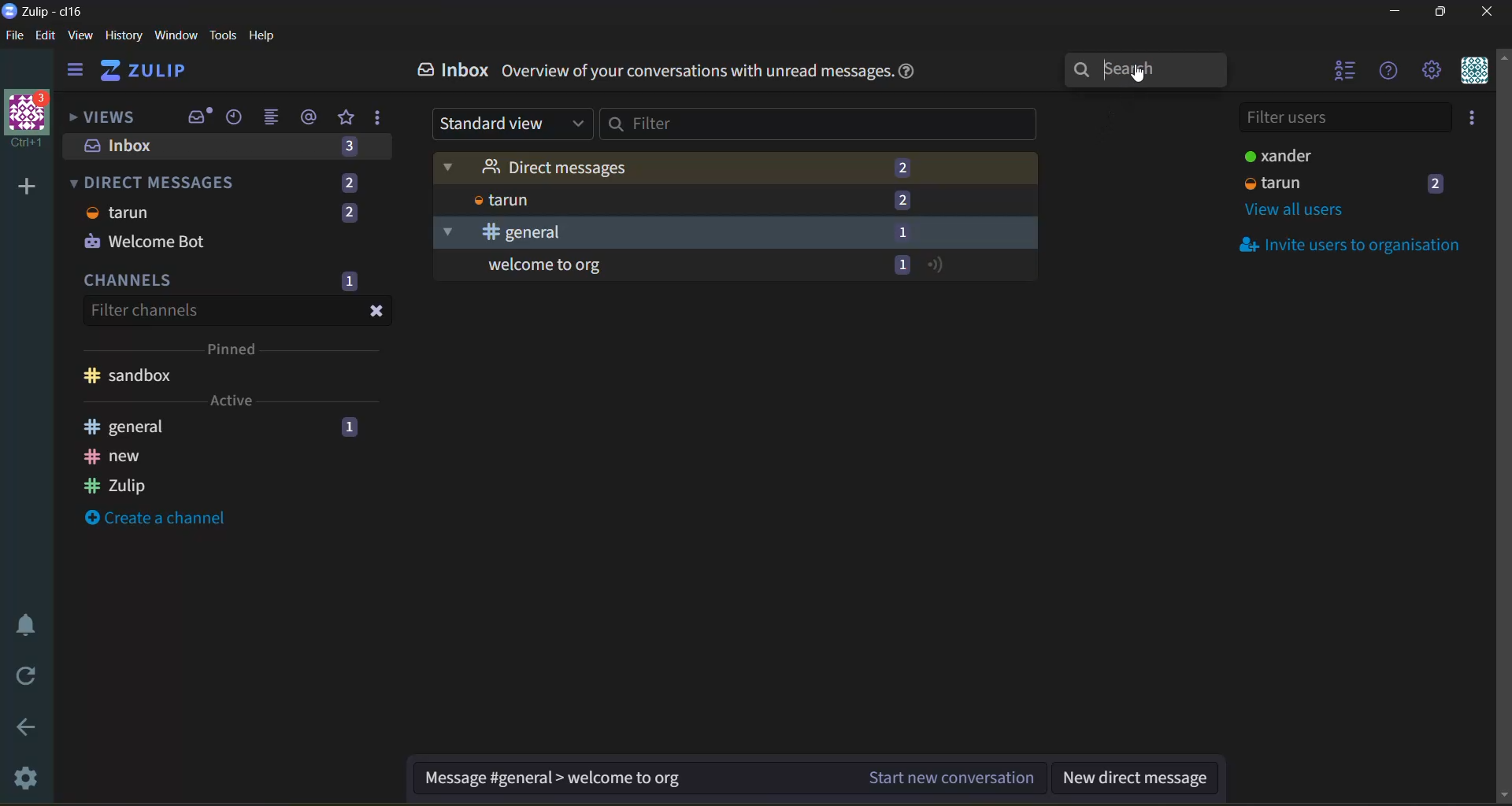  Describe the element at coordinates (116, 457) in the screenshot. I see `# new` at that location.